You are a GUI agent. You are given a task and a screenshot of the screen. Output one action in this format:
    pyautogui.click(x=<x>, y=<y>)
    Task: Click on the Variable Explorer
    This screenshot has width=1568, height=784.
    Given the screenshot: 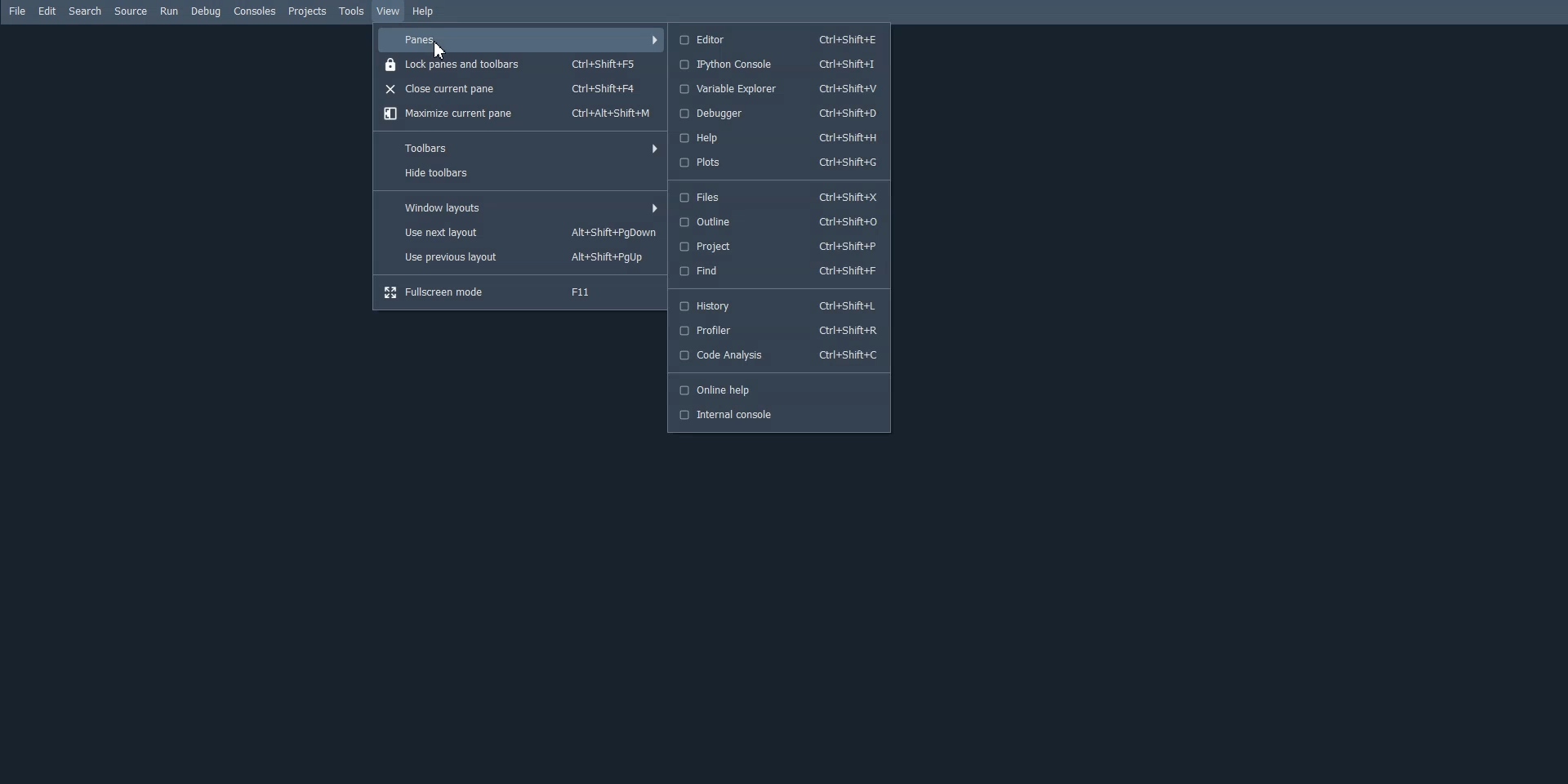 What is the action you would take?
    pyautogui.click(x=777, y=88)
    